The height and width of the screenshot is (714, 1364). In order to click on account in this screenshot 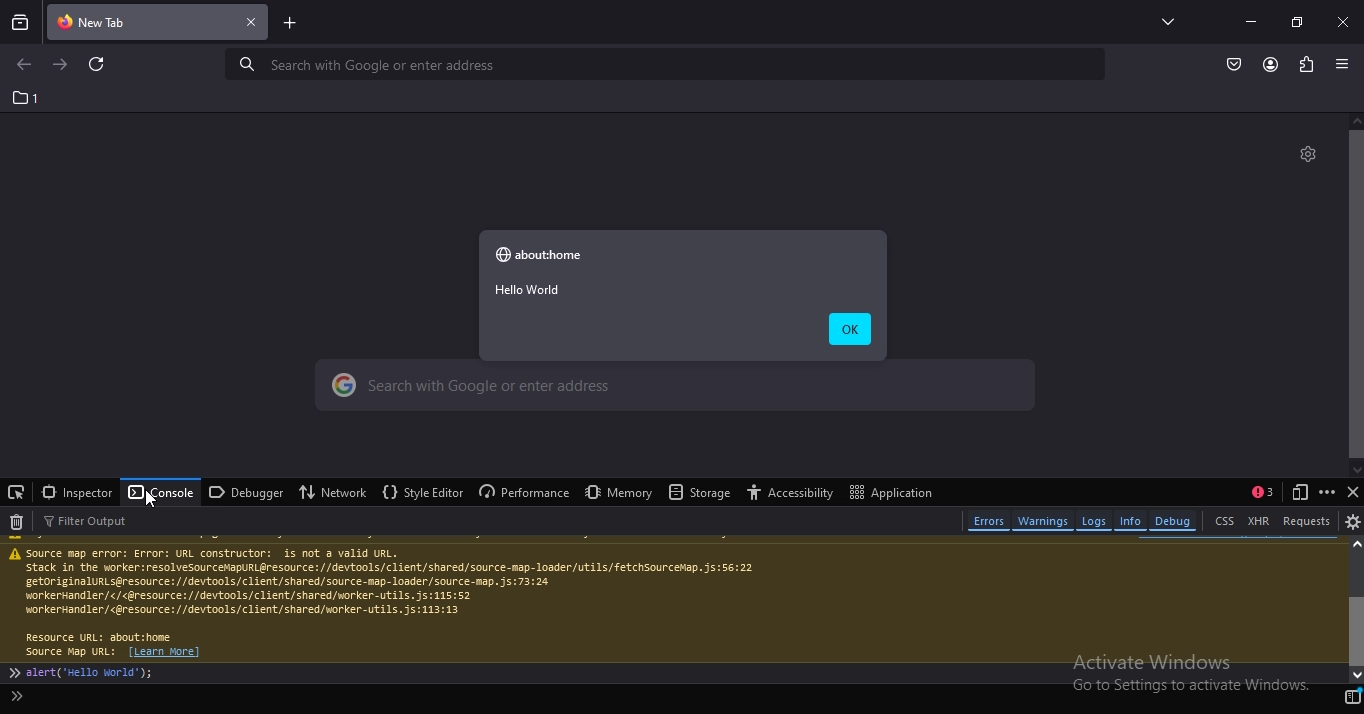, I will do `click(1271, 64)`.